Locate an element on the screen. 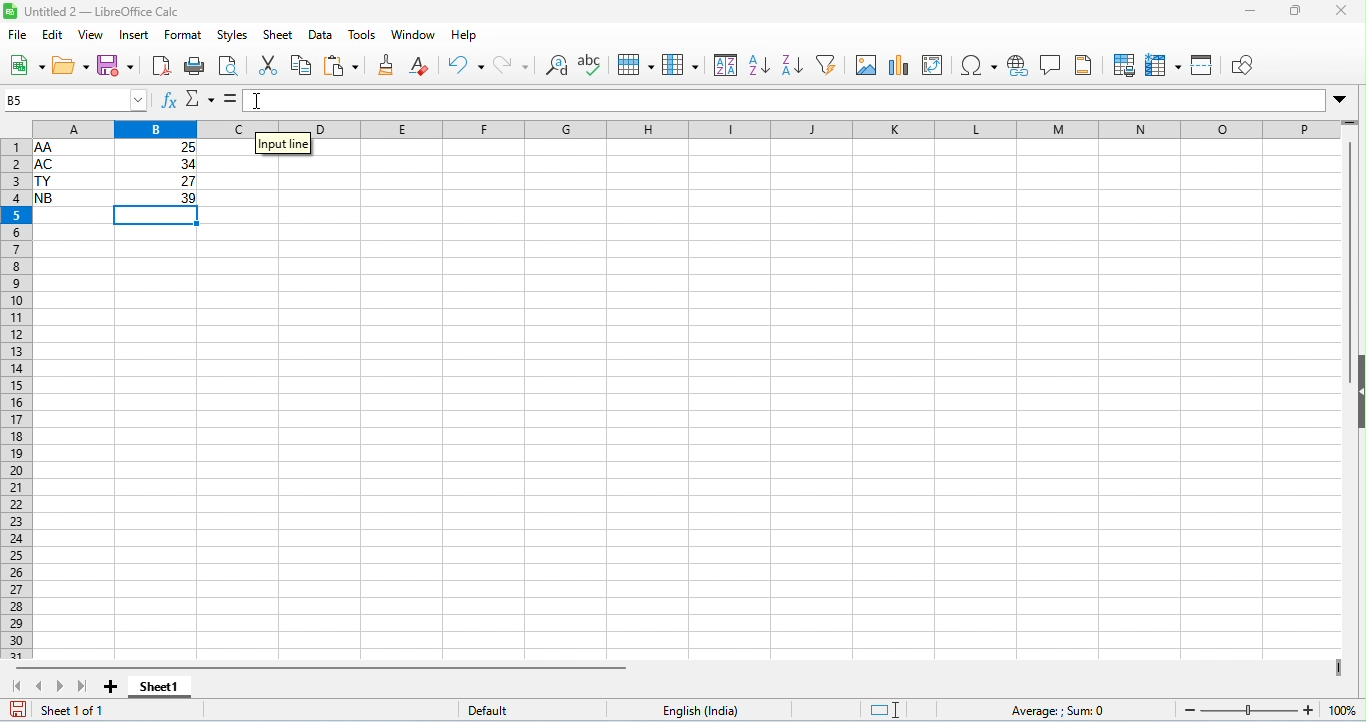 The image size is (1366, 722). sheet1 is located at coordinates (166, 689).